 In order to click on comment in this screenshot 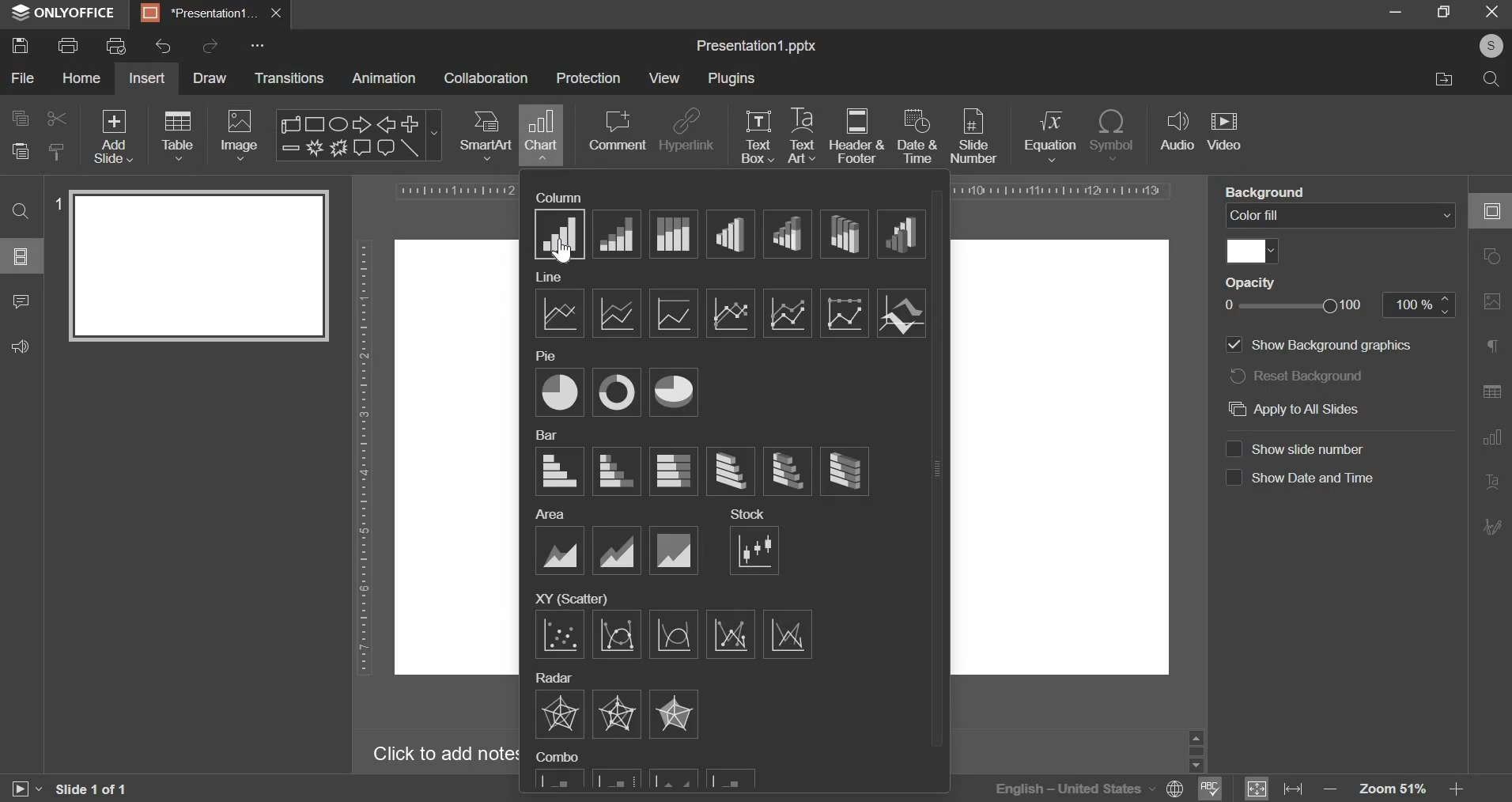, I will do `click(617, 131)`.